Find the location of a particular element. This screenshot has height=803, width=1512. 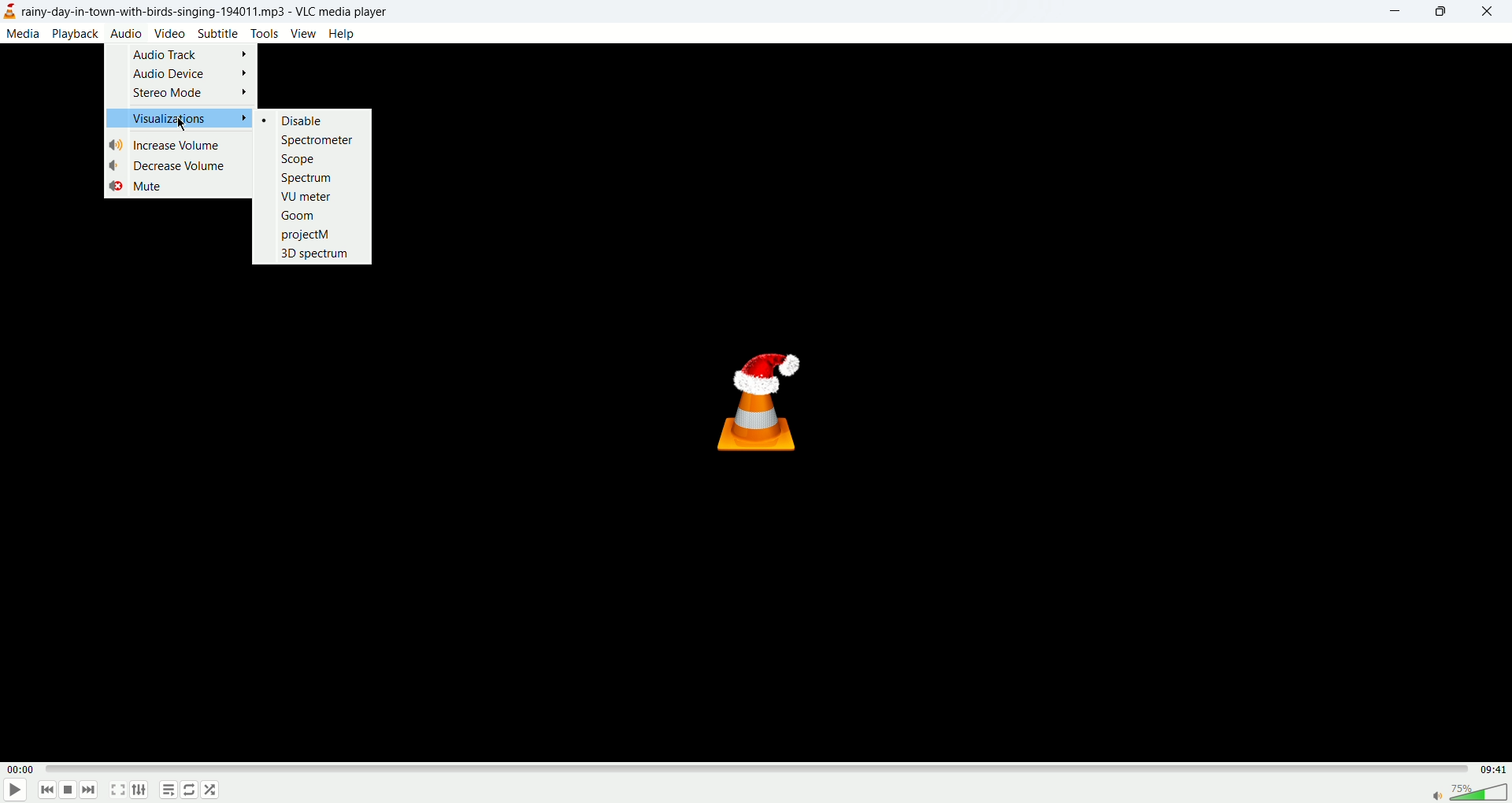

progress bar is located at coordinates (754, 769).